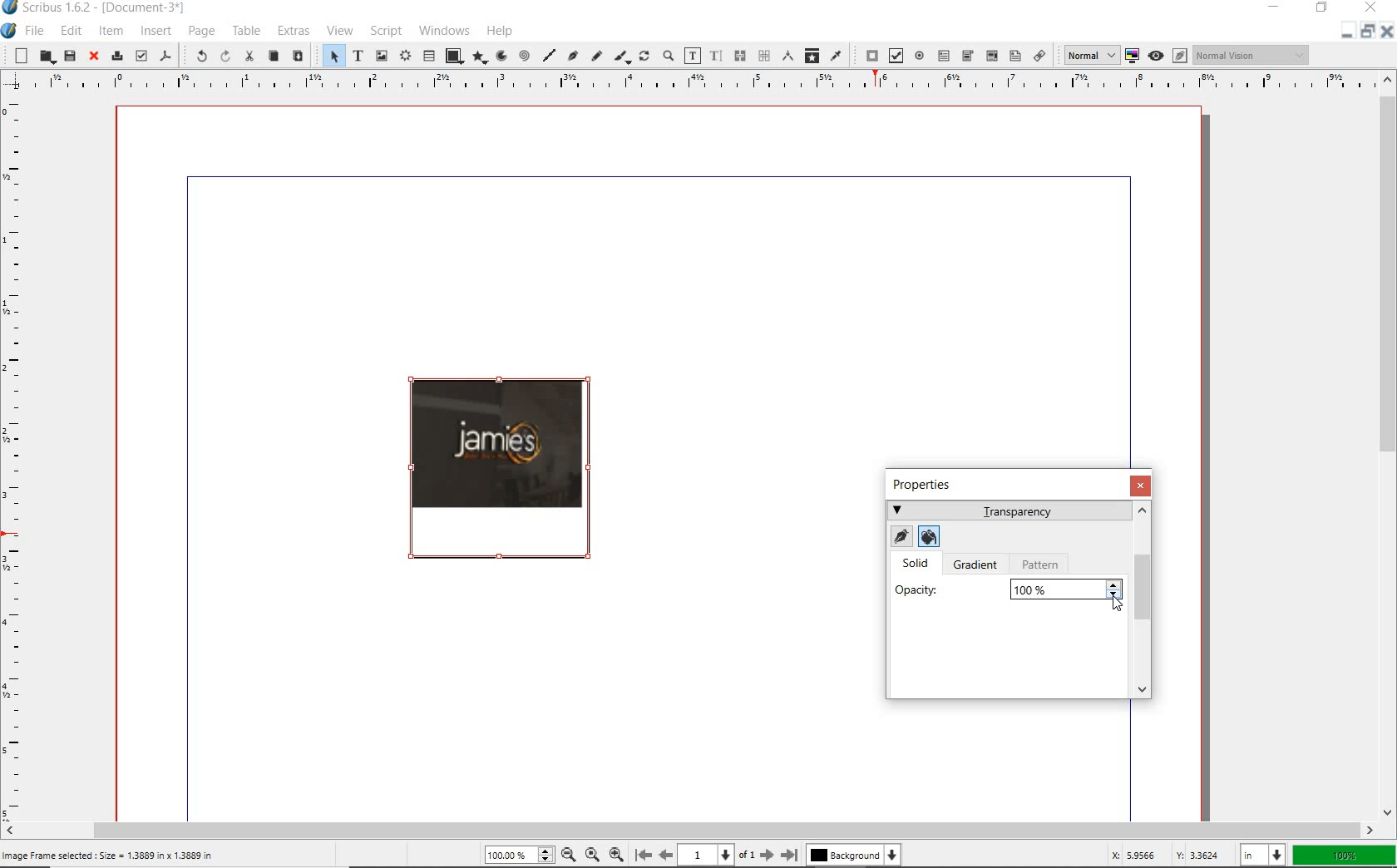 This screenshot has width=1397, height=868. Describe the element at coordinates (247, 30) in the screenshot. I see `TABLE` at that location.